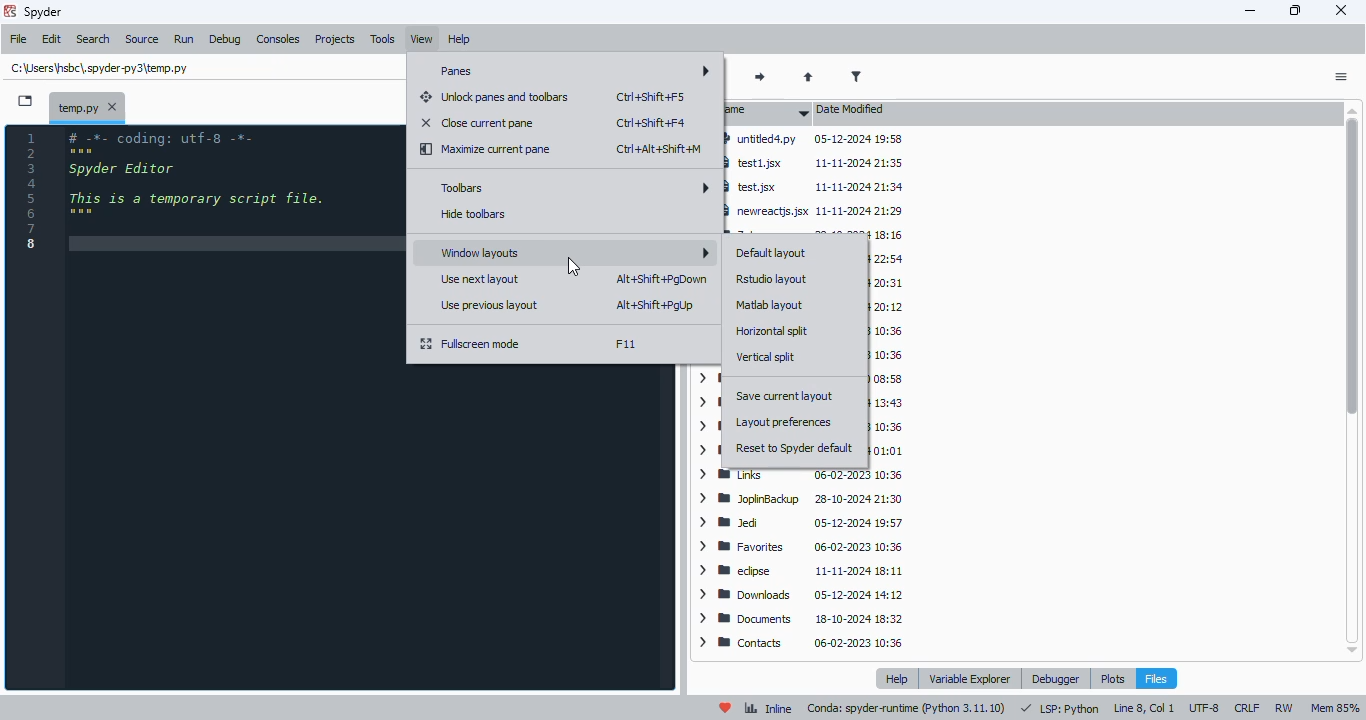 The image size is (1366, 720). What do you see at coordinates (884, 426) in the screenshot?
I see `Music` at bounding box center [884, 426].